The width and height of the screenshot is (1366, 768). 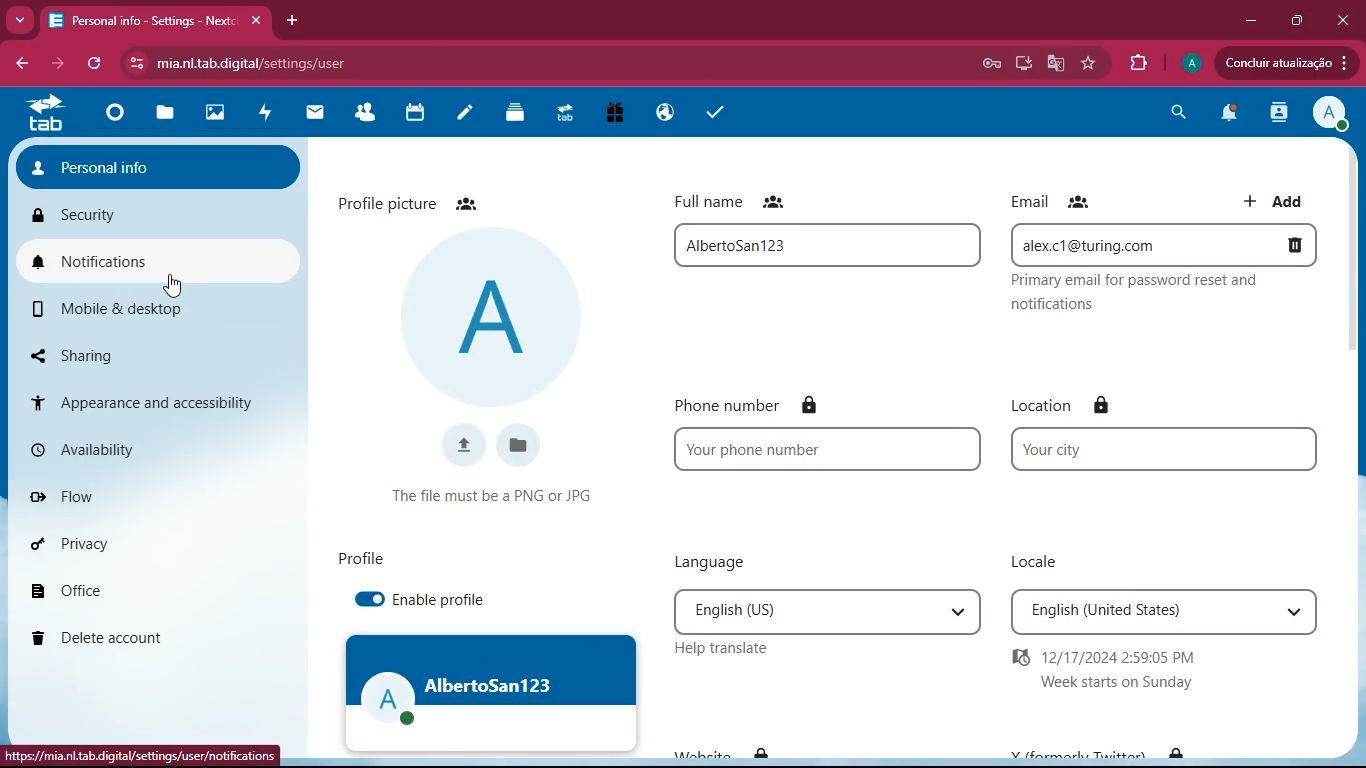 What do you see at coordinates (1354, 286) in the screenshot?
I see `scroll bar` at bounding box center [1354, 286].